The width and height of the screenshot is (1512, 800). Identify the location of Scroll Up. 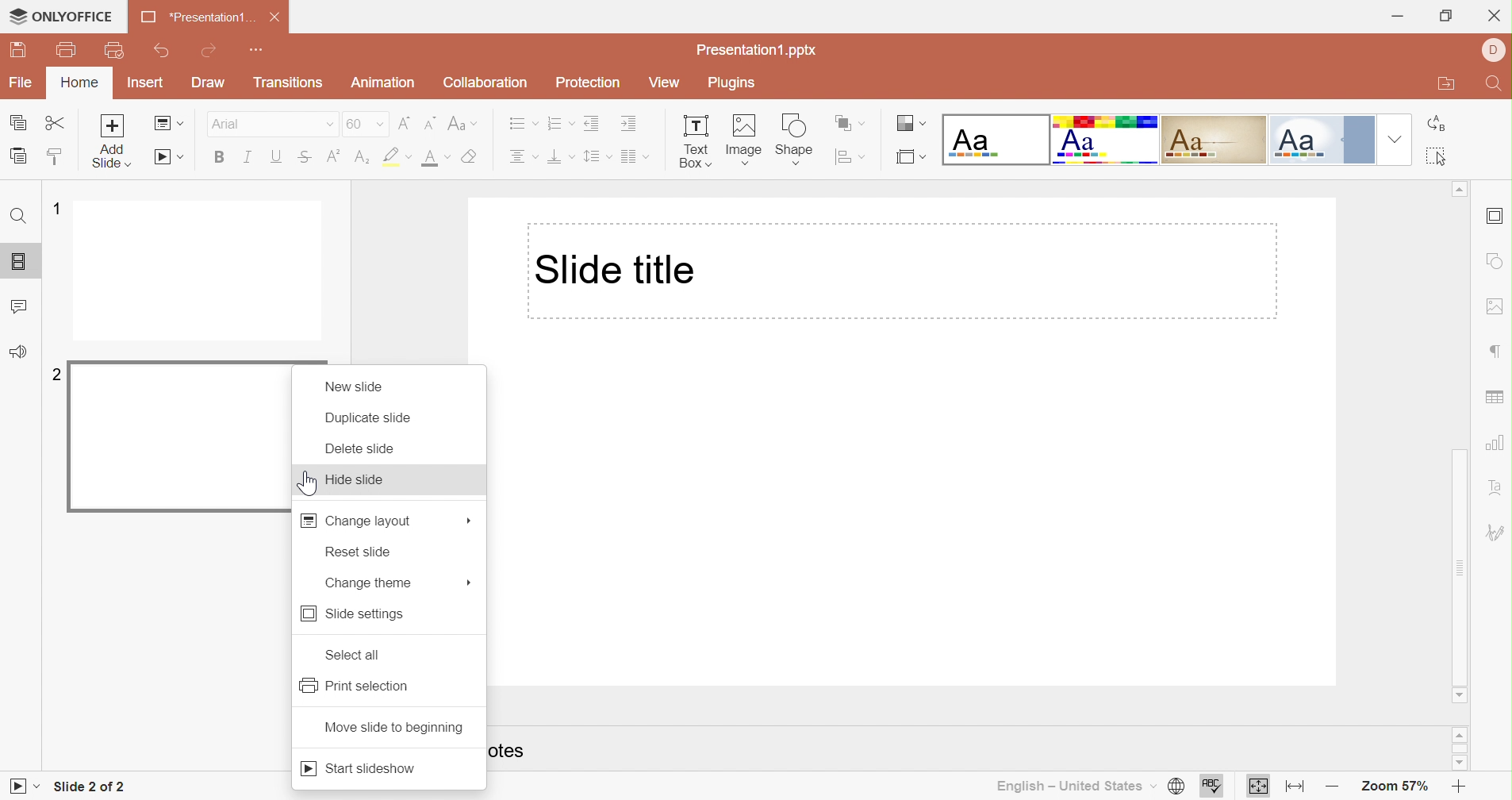
(1459, 190).